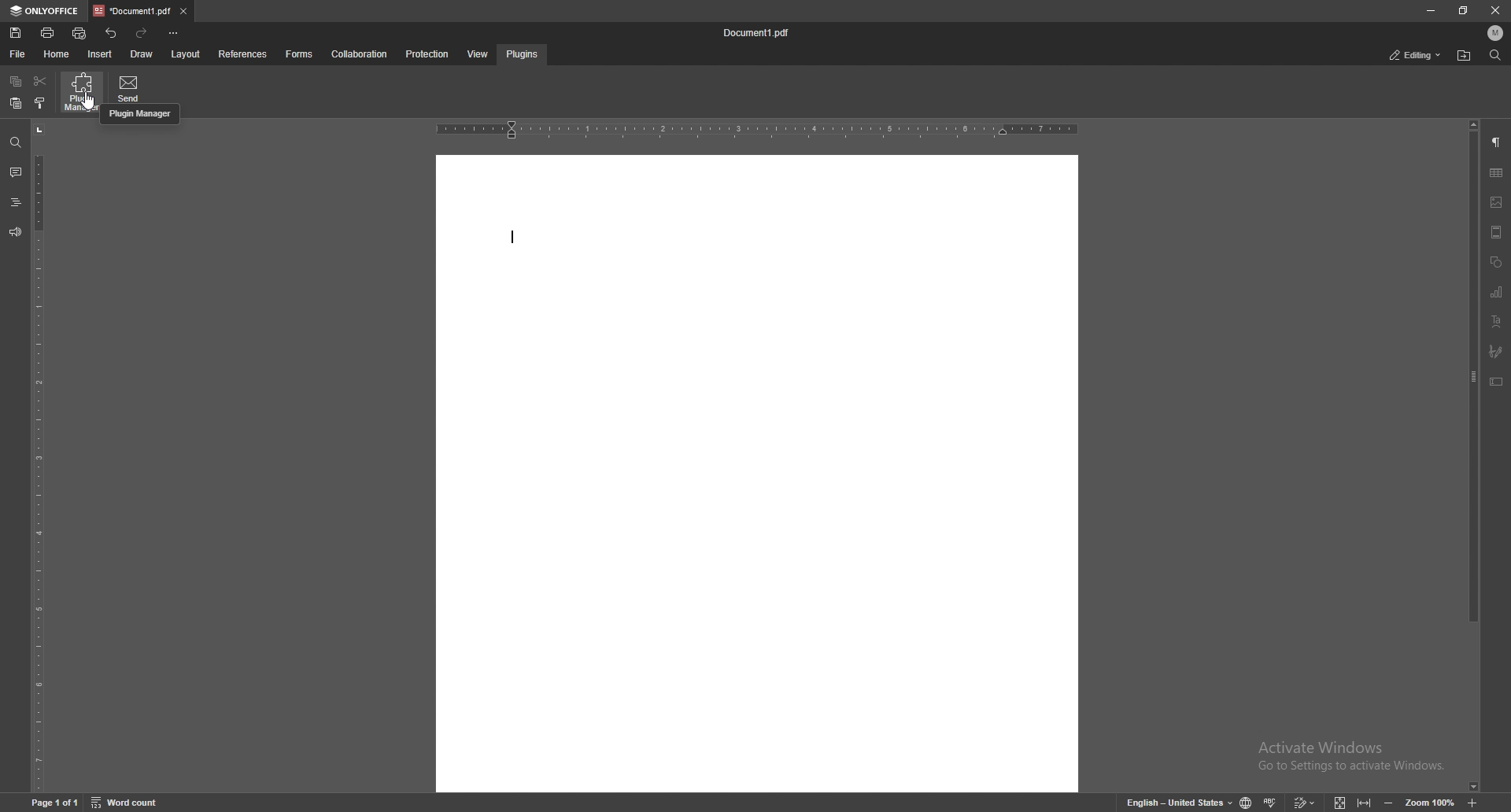 This screenshot has width=1511, height=812. Describe the element at coordinates (139, 115) in the screenshot. I see `cursor description` at that location.